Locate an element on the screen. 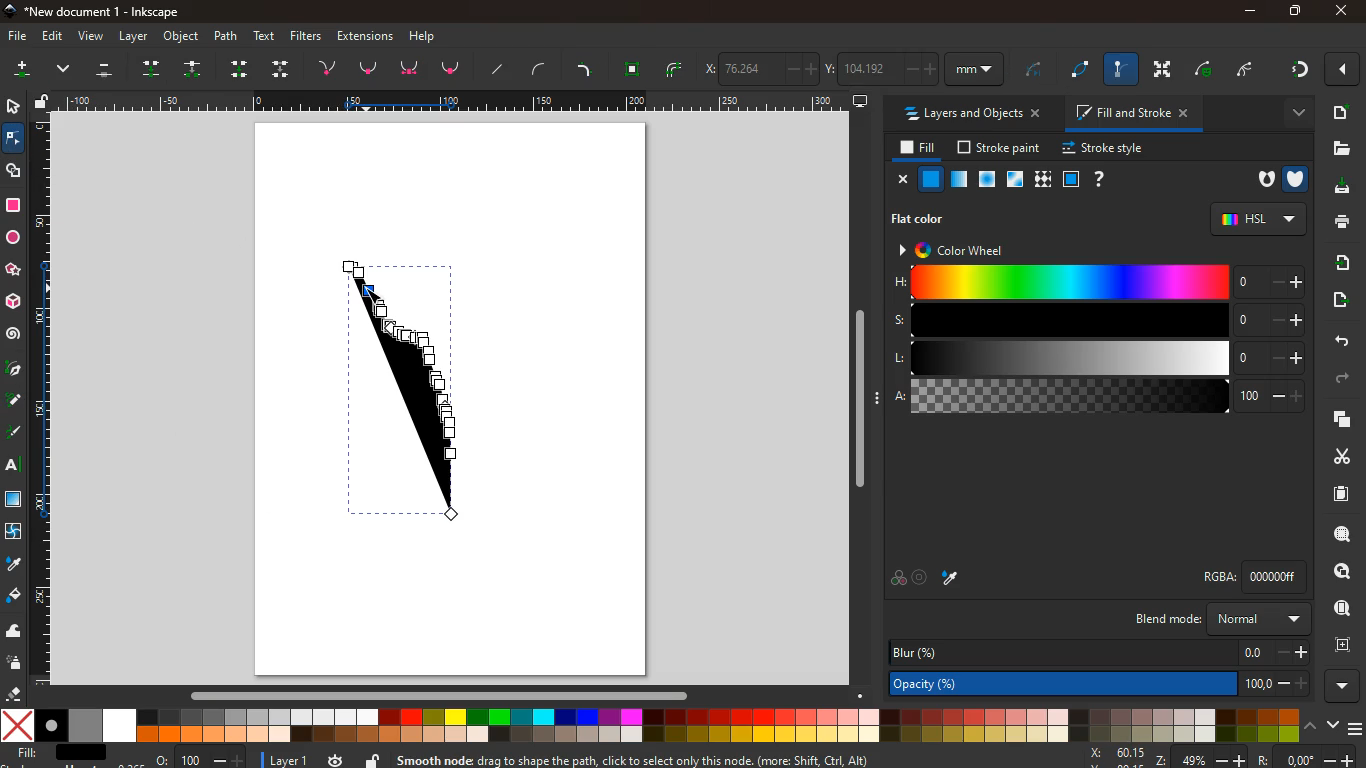  draw is located at coordinates (409, 391).